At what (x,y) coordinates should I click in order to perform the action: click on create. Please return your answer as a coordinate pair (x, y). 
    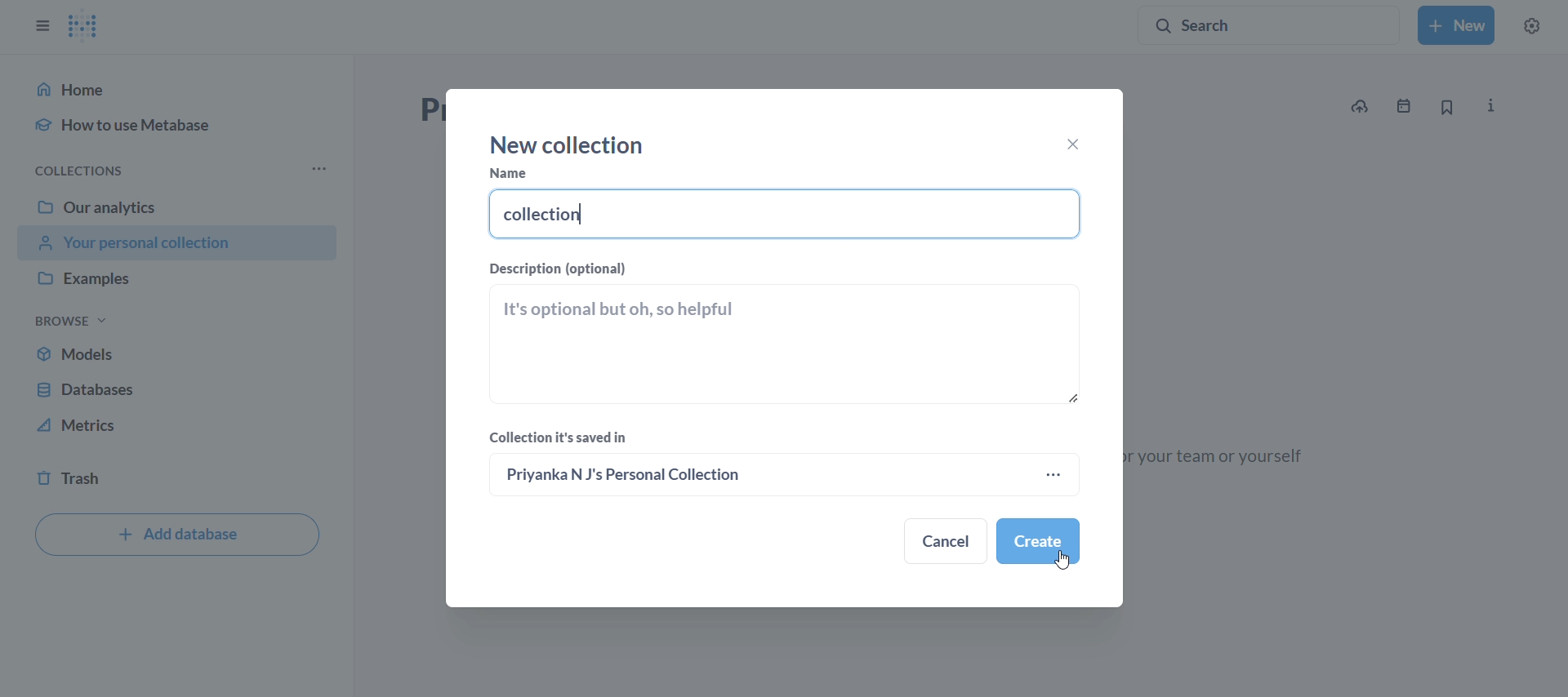
    Looking at the image, I should click on (1039, 542).